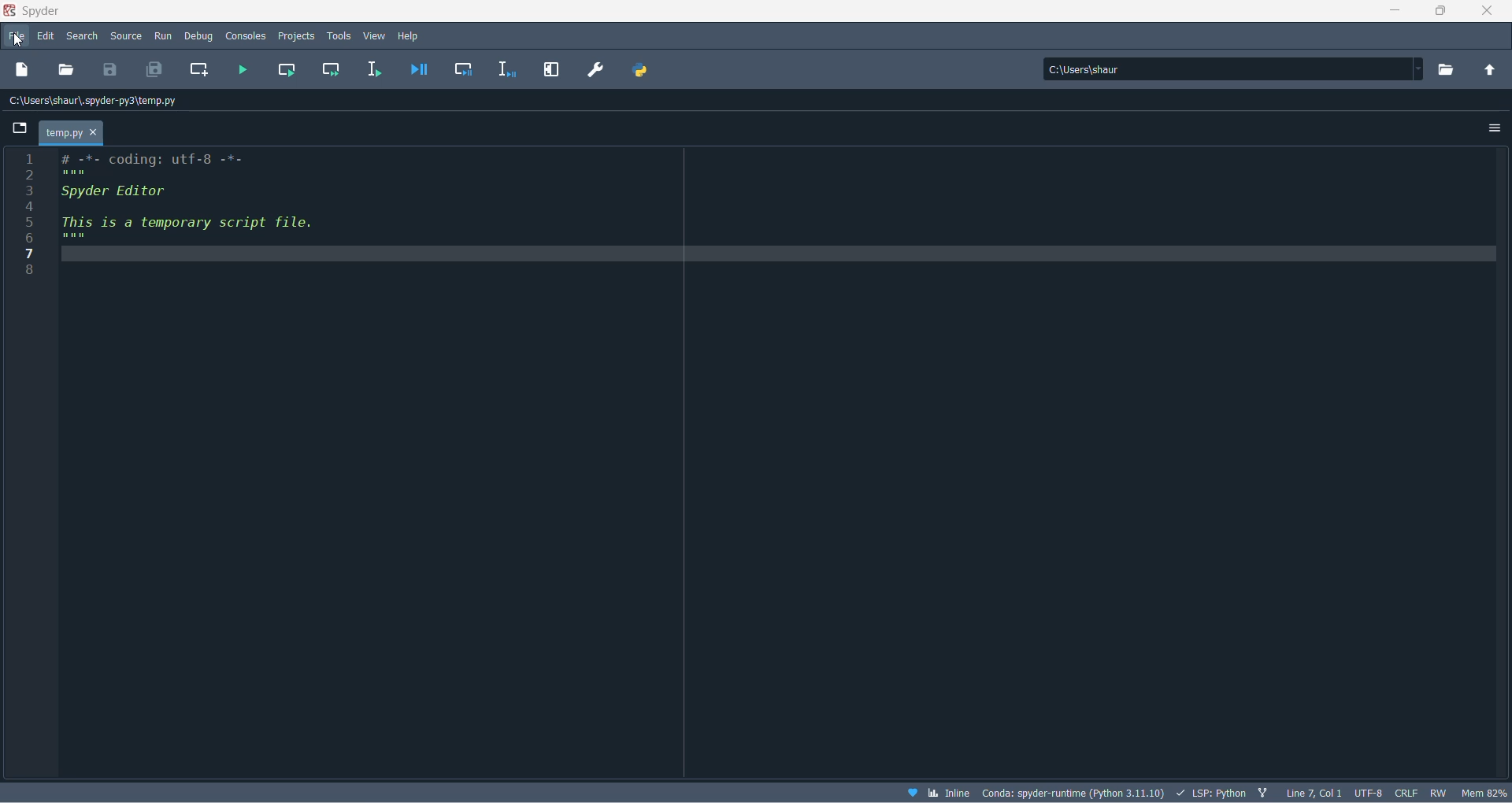  What do you see at coordinates (1213, 792) in the screenshot?
I see `scripting` at bounding box center [1213, 792].